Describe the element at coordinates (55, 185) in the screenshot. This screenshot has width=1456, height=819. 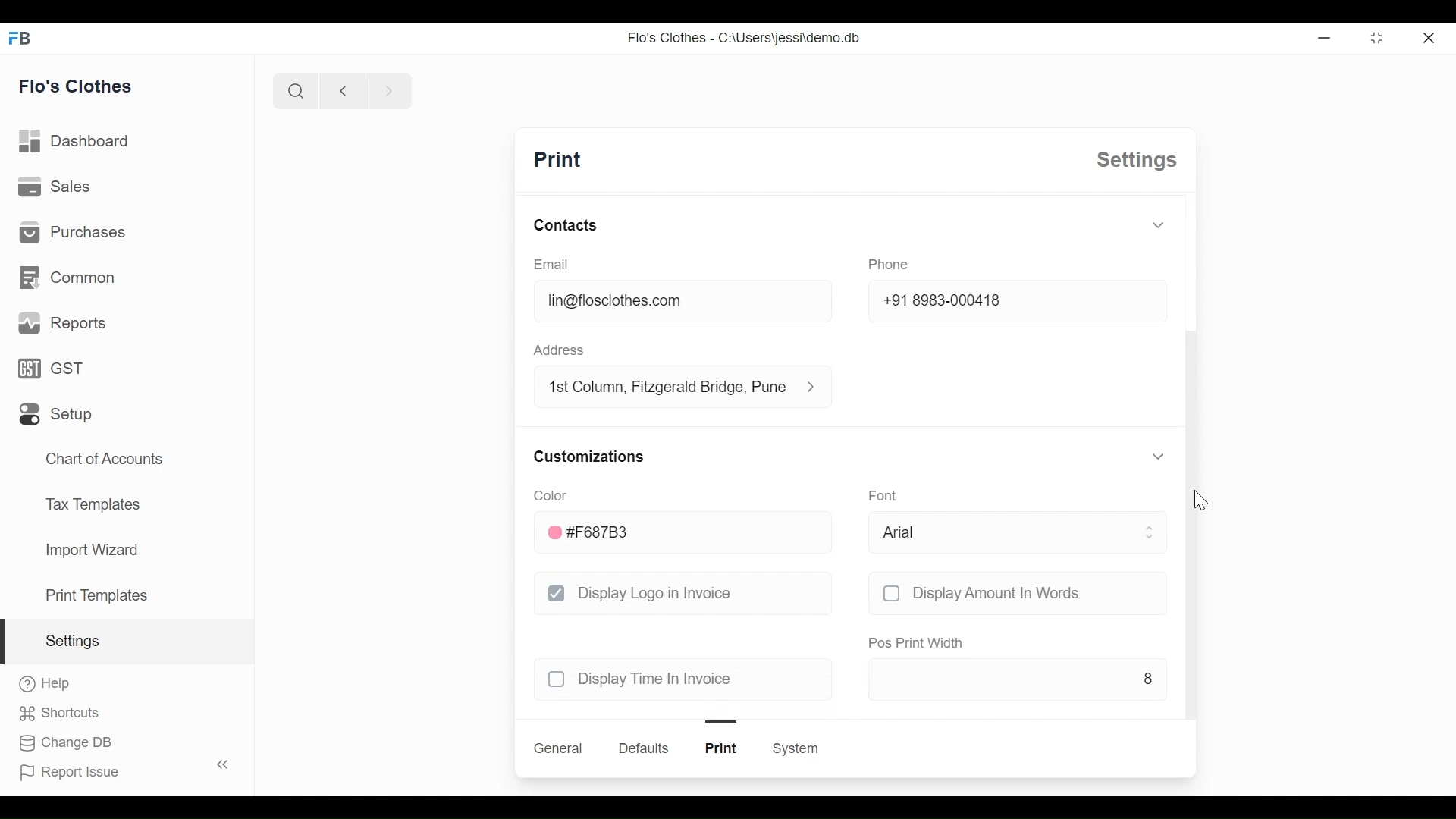
I see `sales` at that location.